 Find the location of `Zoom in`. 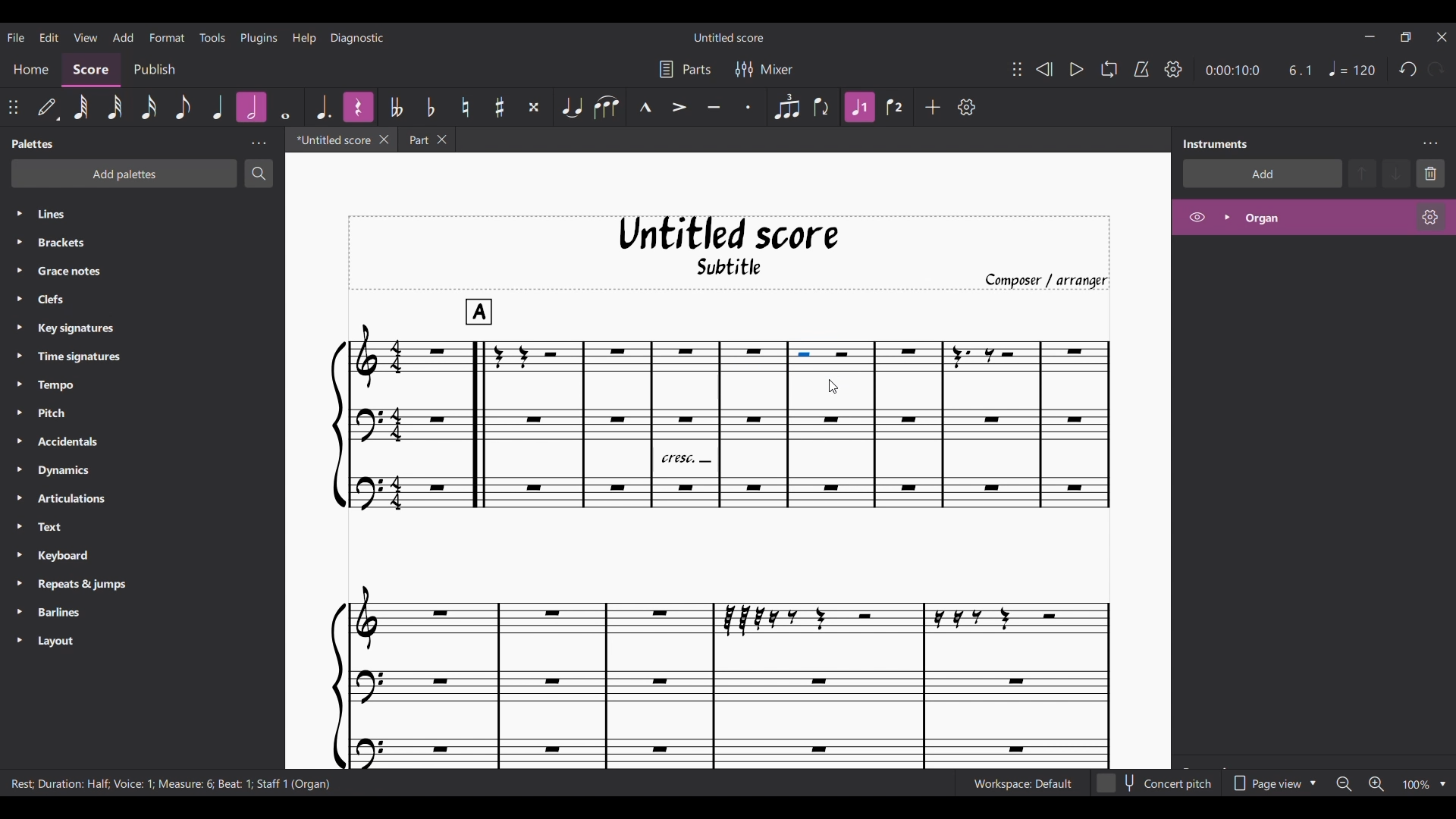

Zoom in is located at coordinates (1376, 783).